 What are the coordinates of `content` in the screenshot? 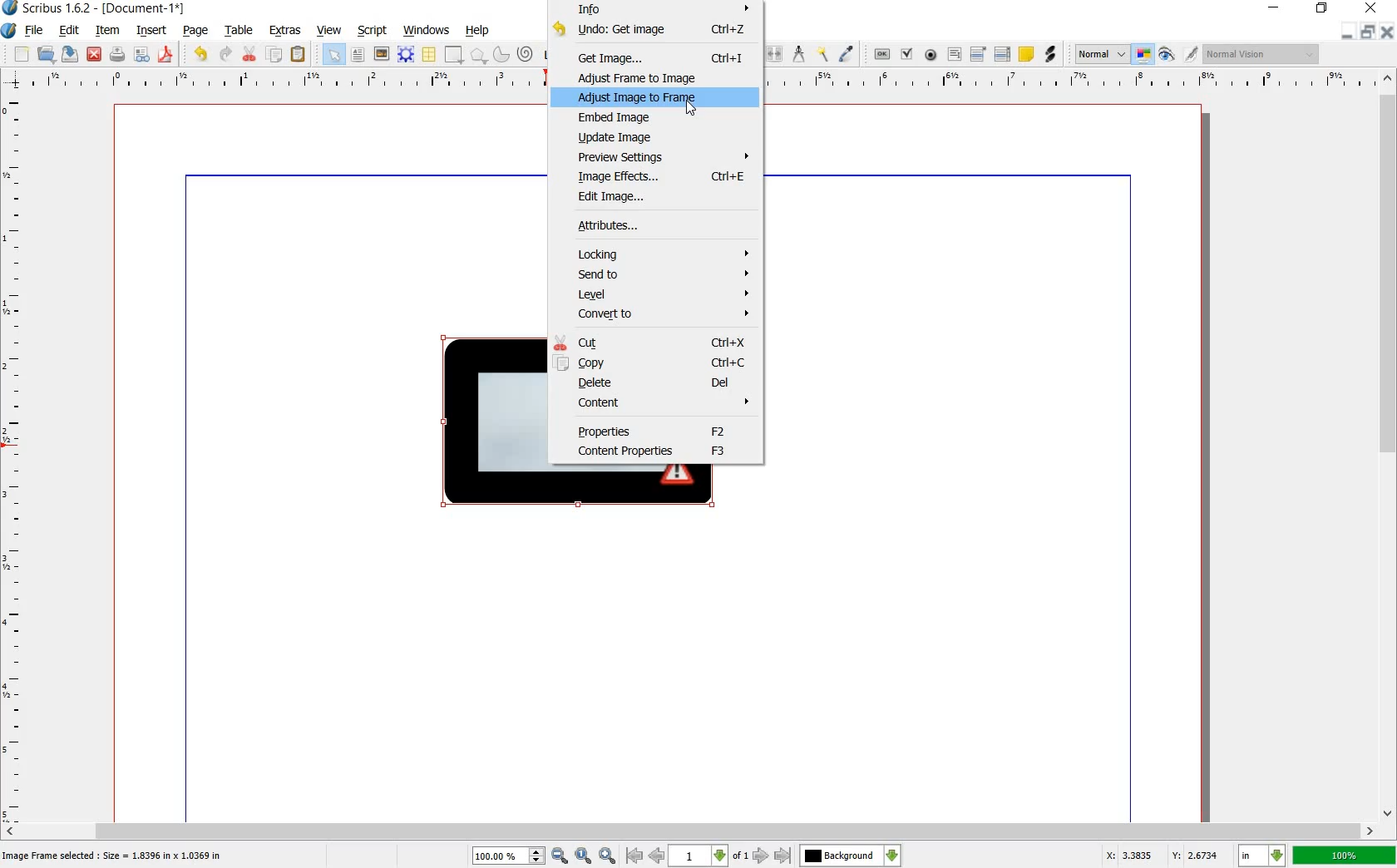 It's located at (665, 402).